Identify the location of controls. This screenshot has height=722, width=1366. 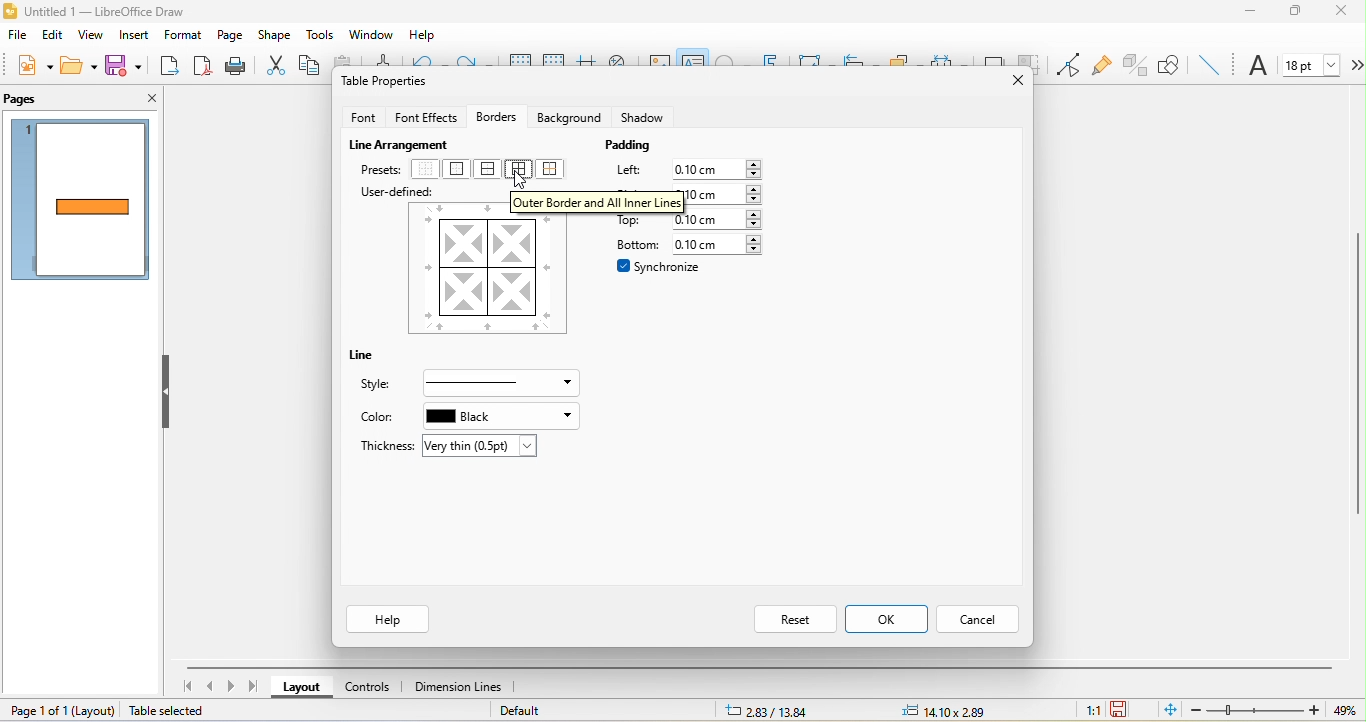
(371, 685).